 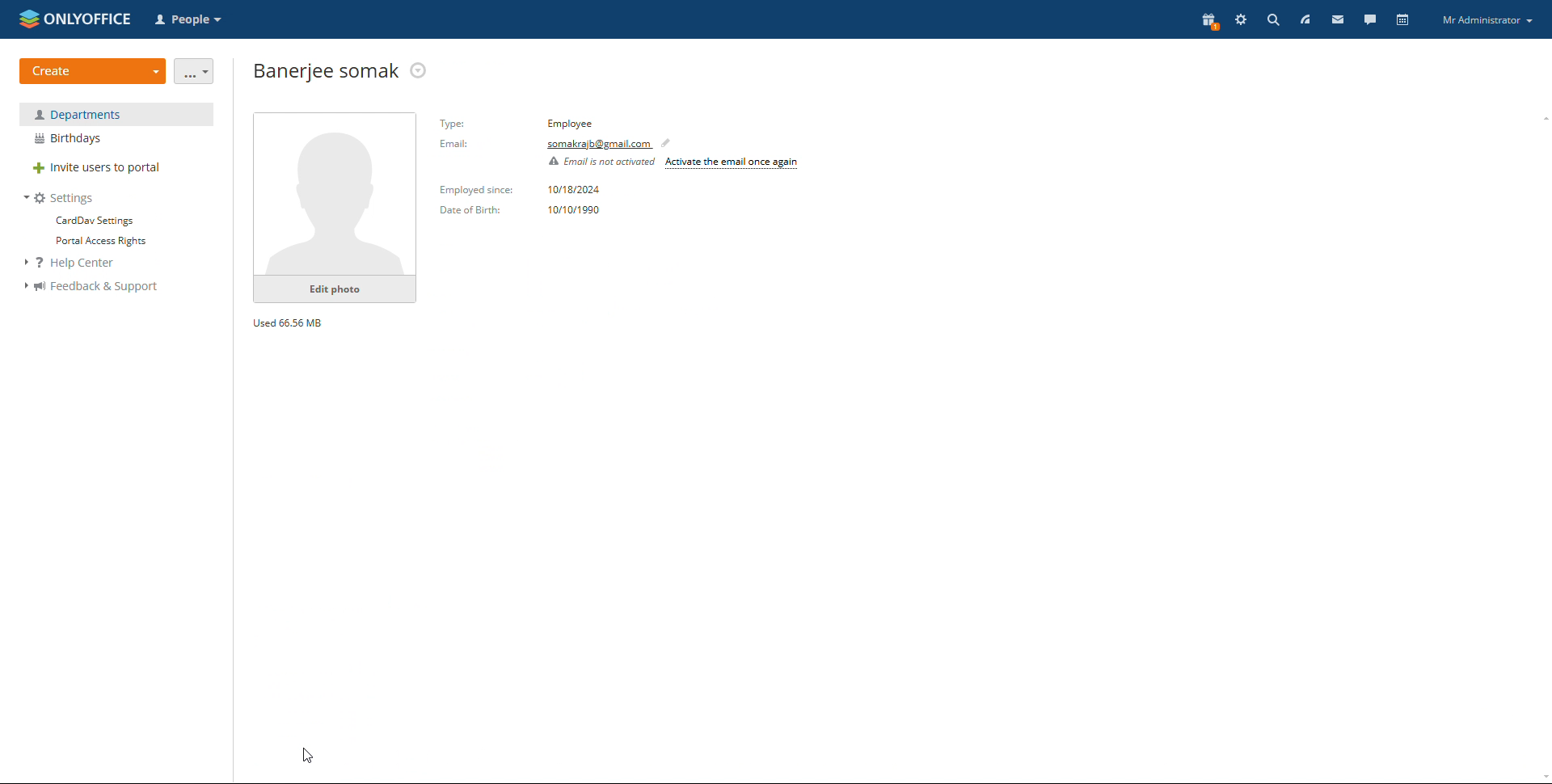 I want to click on email is not activated, so click(x=600, y=162).